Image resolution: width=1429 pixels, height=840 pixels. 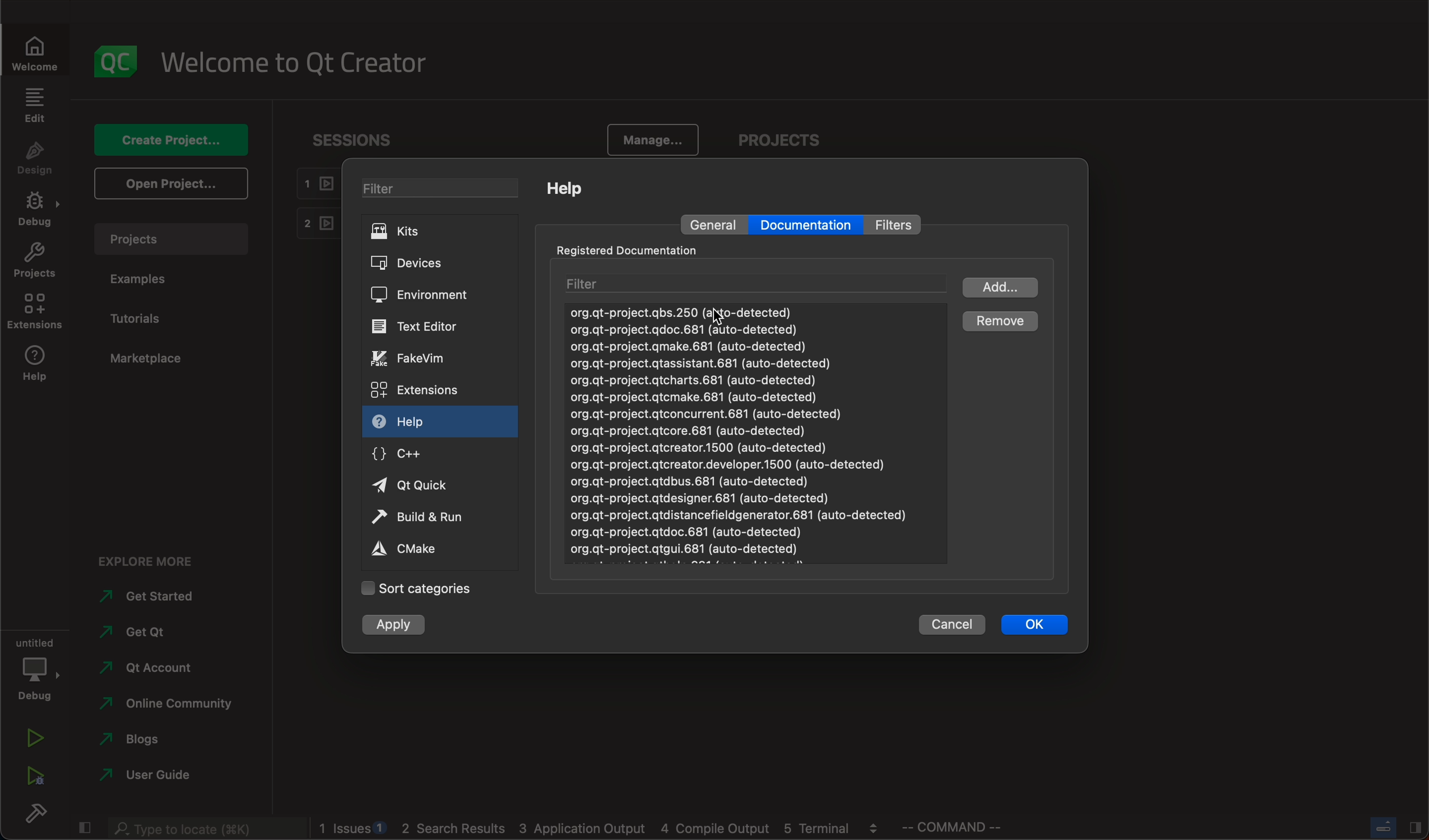 What do you see at coordinates (443, 188) in the screenshot?
I see `filter` at bounding box center [443, 188].